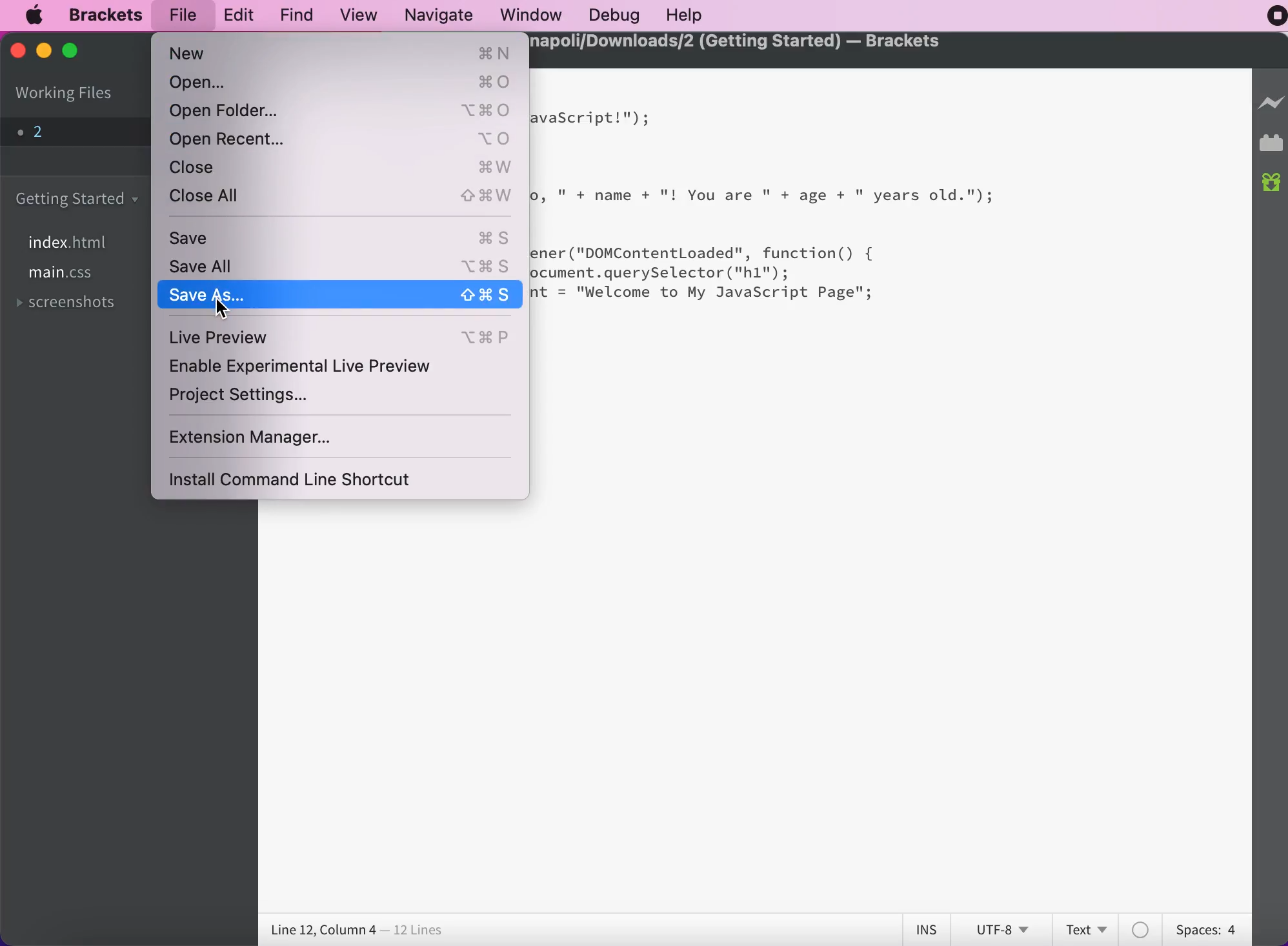 This screenshot has width=1288, height=946. What do you see at coordinates (37, 15) in the screenshot?
I see `mac logo` at bounding box center [37, 15].